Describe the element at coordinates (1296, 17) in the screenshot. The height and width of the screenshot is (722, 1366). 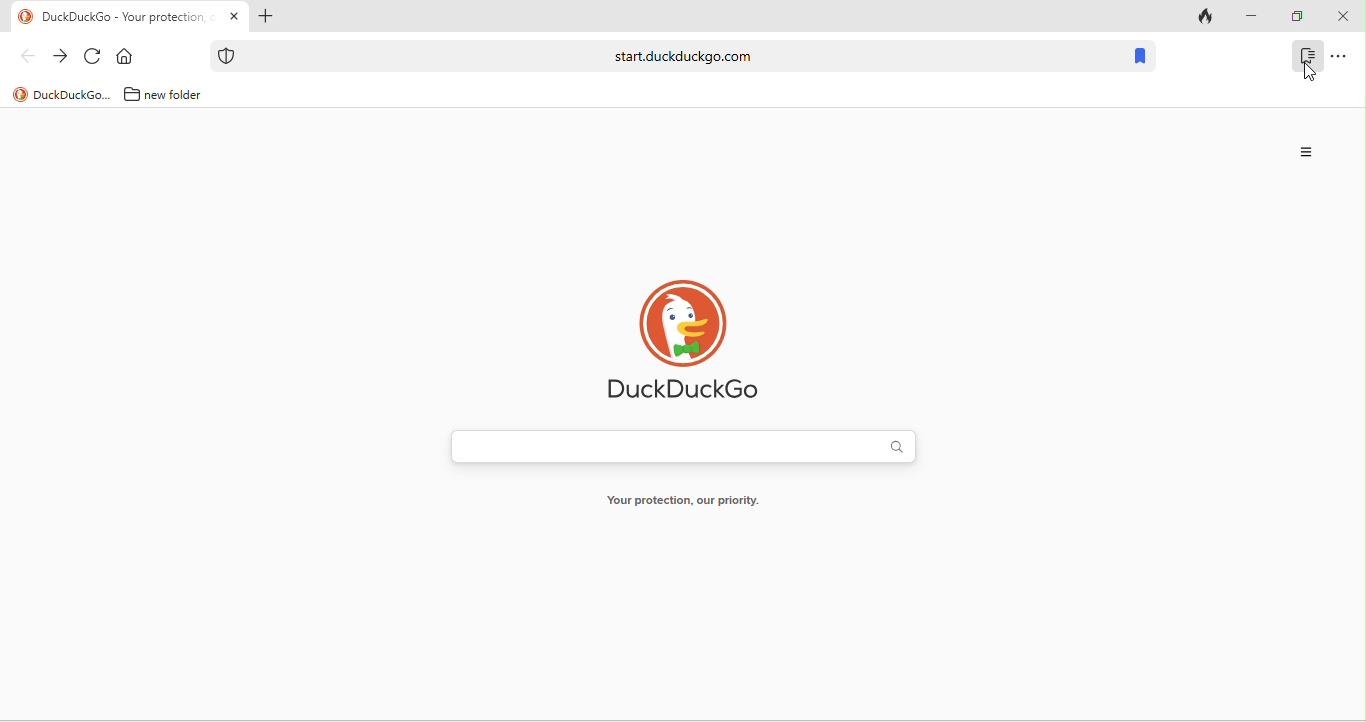
I see `maximize` at that location.